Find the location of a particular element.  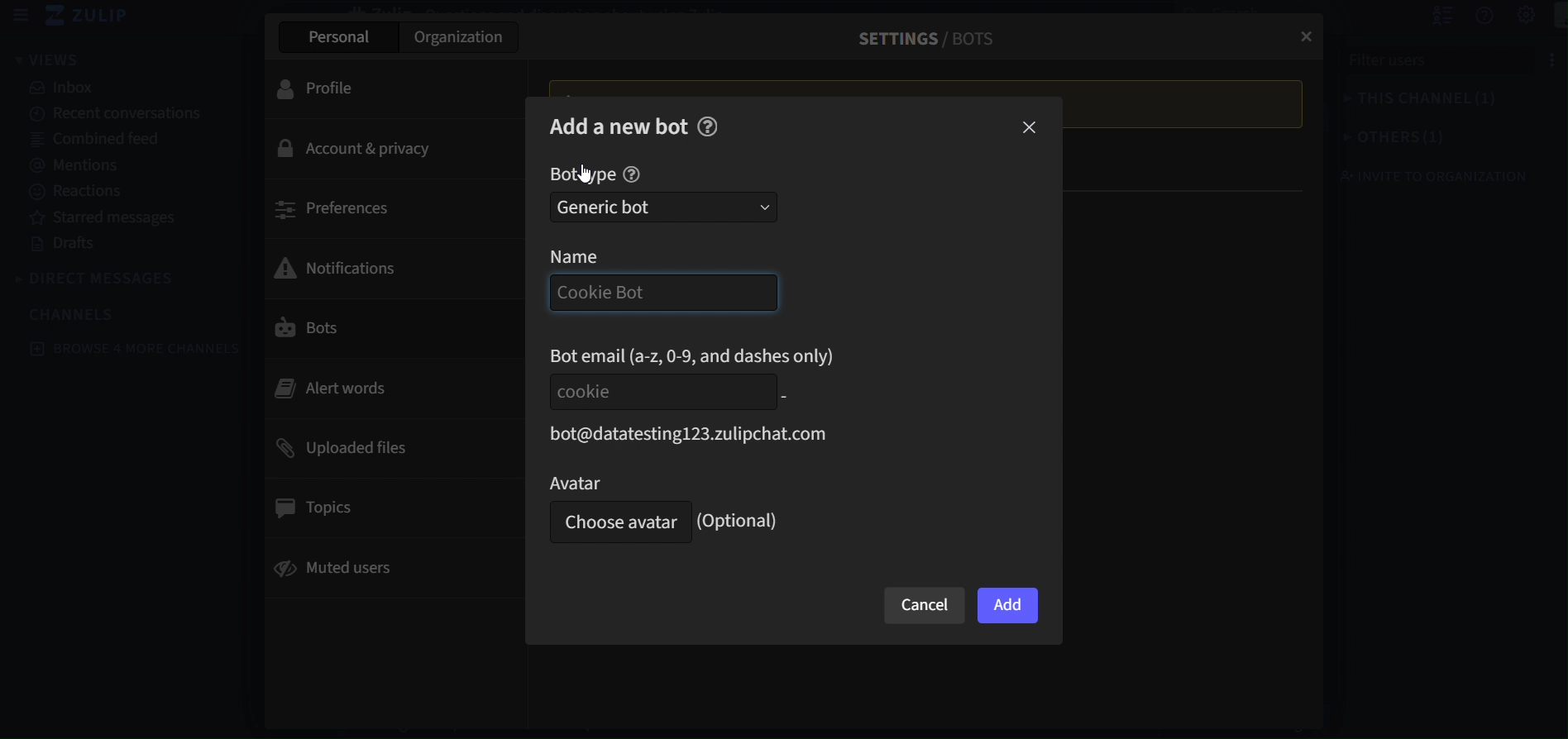

account & privacy is located at coordinates (375, 150).